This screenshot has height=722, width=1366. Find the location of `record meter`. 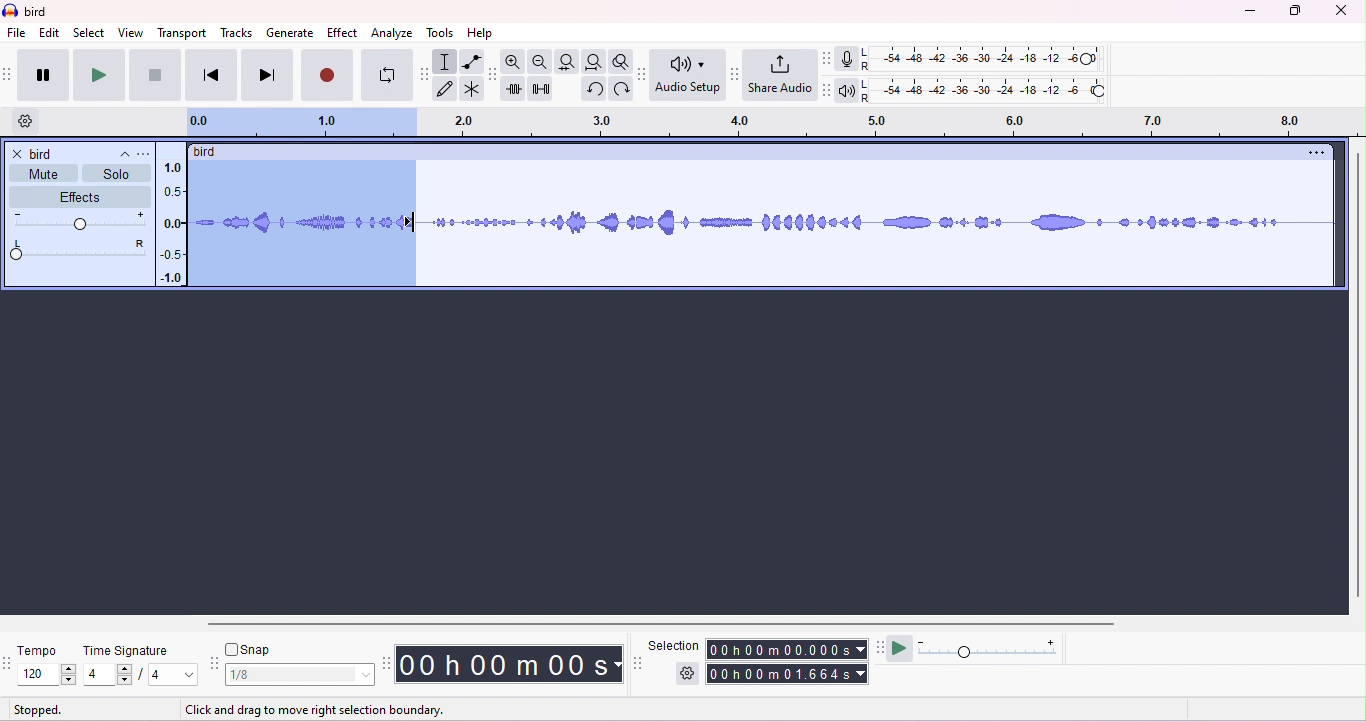

record meter is located at coordinates (855, 59).